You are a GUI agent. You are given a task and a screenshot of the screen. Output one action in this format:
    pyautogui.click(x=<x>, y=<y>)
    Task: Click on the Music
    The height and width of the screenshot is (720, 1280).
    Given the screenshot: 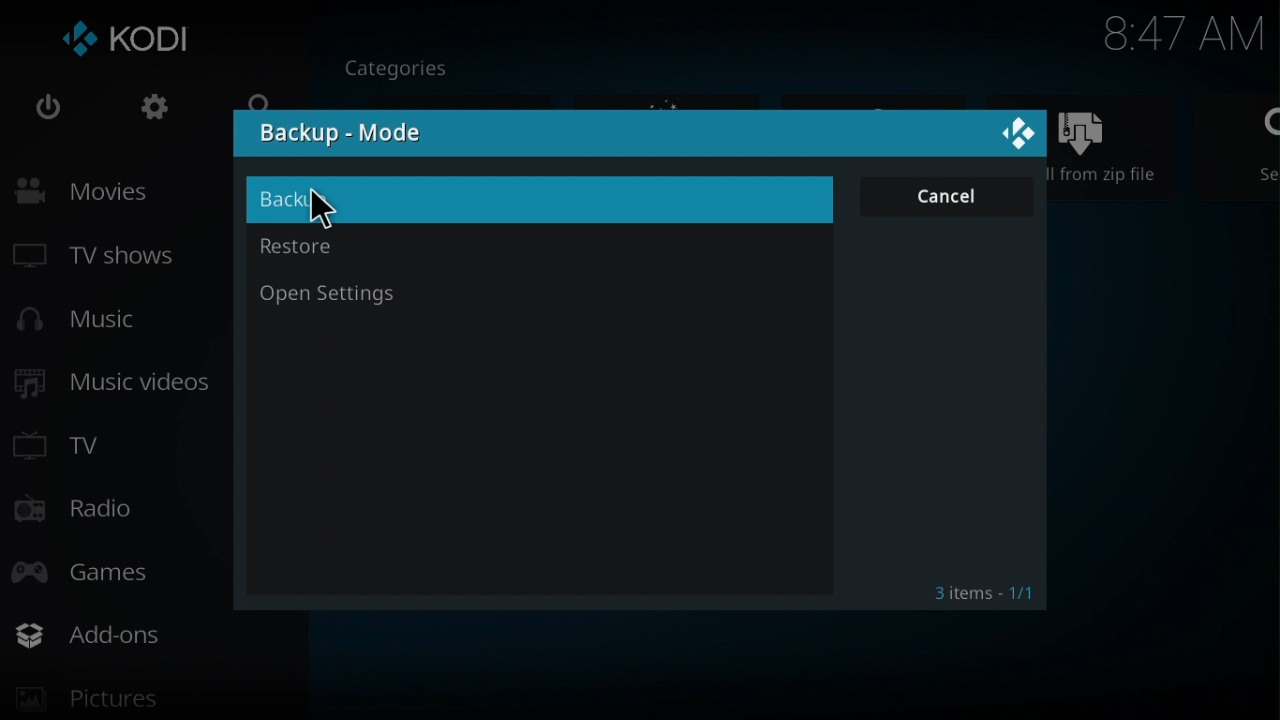 What is the action you would take?
    pyautogui.click(x=92, y=323)
    